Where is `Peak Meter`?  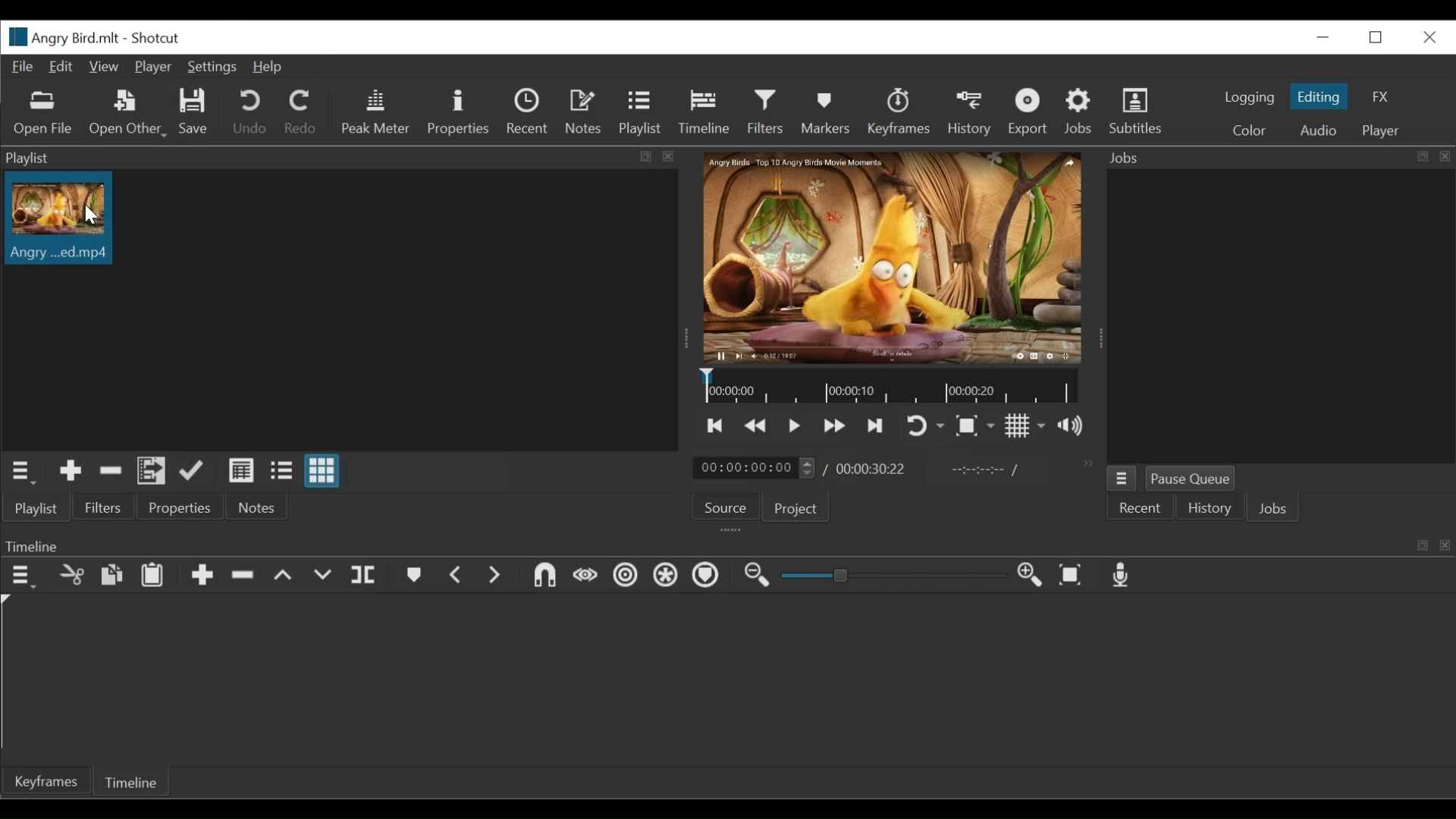
Peak Meter is located at coordinates (377, 111).